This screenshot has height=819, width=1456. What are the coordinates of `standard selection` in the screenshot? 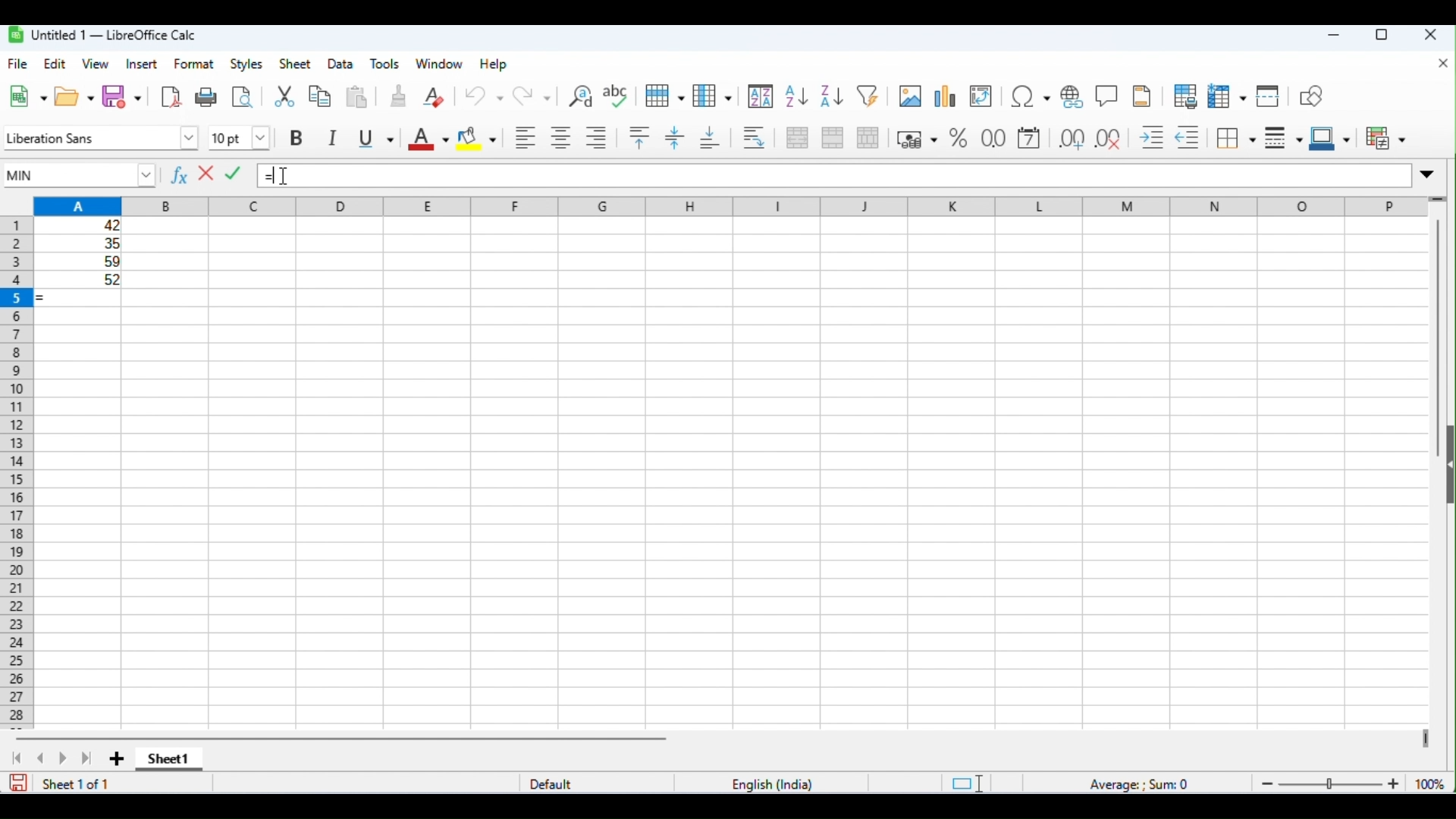 It's located at (965, 783).